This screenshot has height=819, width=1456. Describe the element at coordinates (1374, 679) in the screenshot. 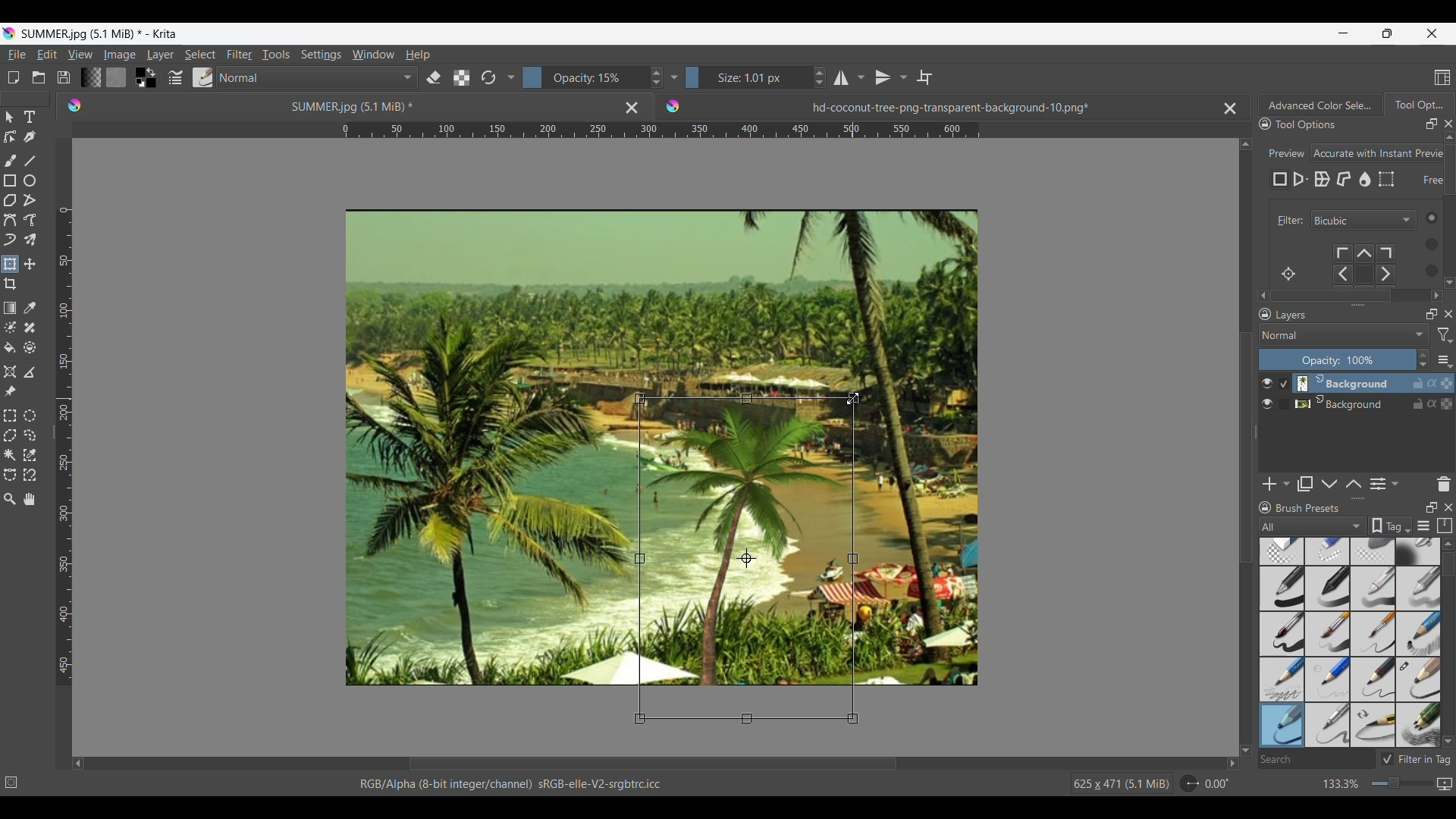

I see `pencil 2` at that location.